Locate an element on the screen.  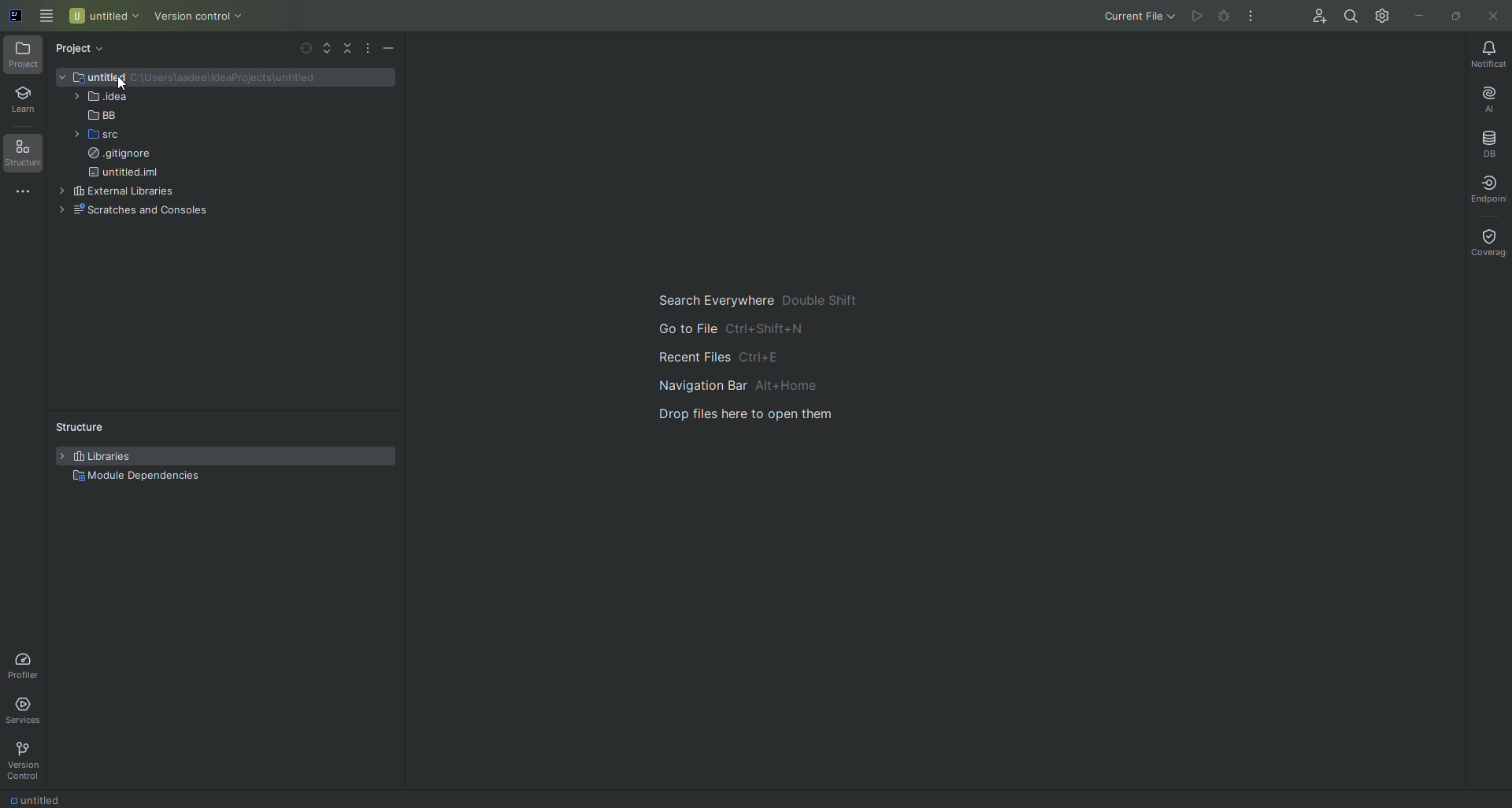
More Actions is located at coordinates (1250, 17).